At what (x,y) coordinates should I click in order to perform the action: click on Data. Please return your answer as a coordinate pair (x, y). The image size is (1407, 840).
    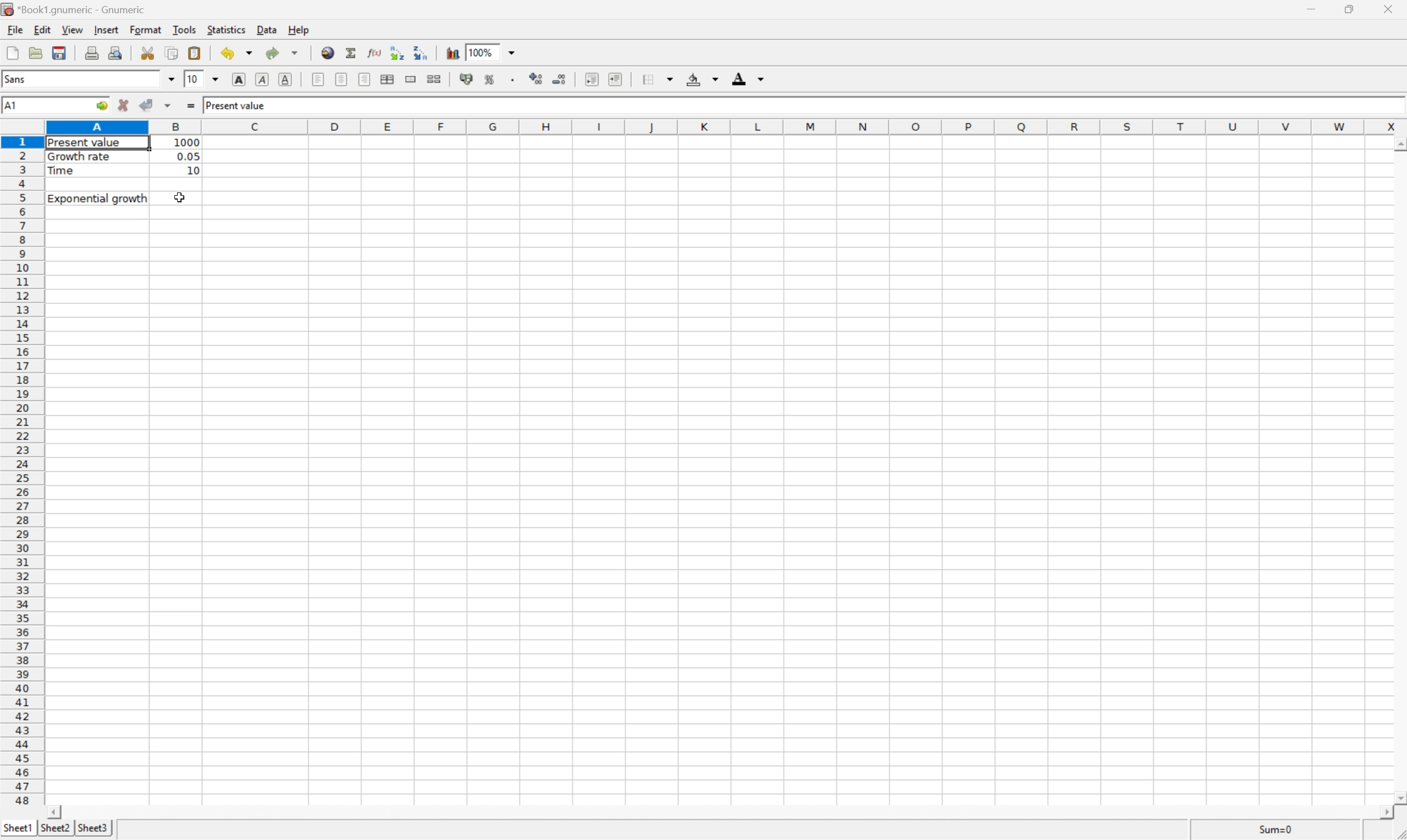
    Looking at the image, I should click on (267, 31).